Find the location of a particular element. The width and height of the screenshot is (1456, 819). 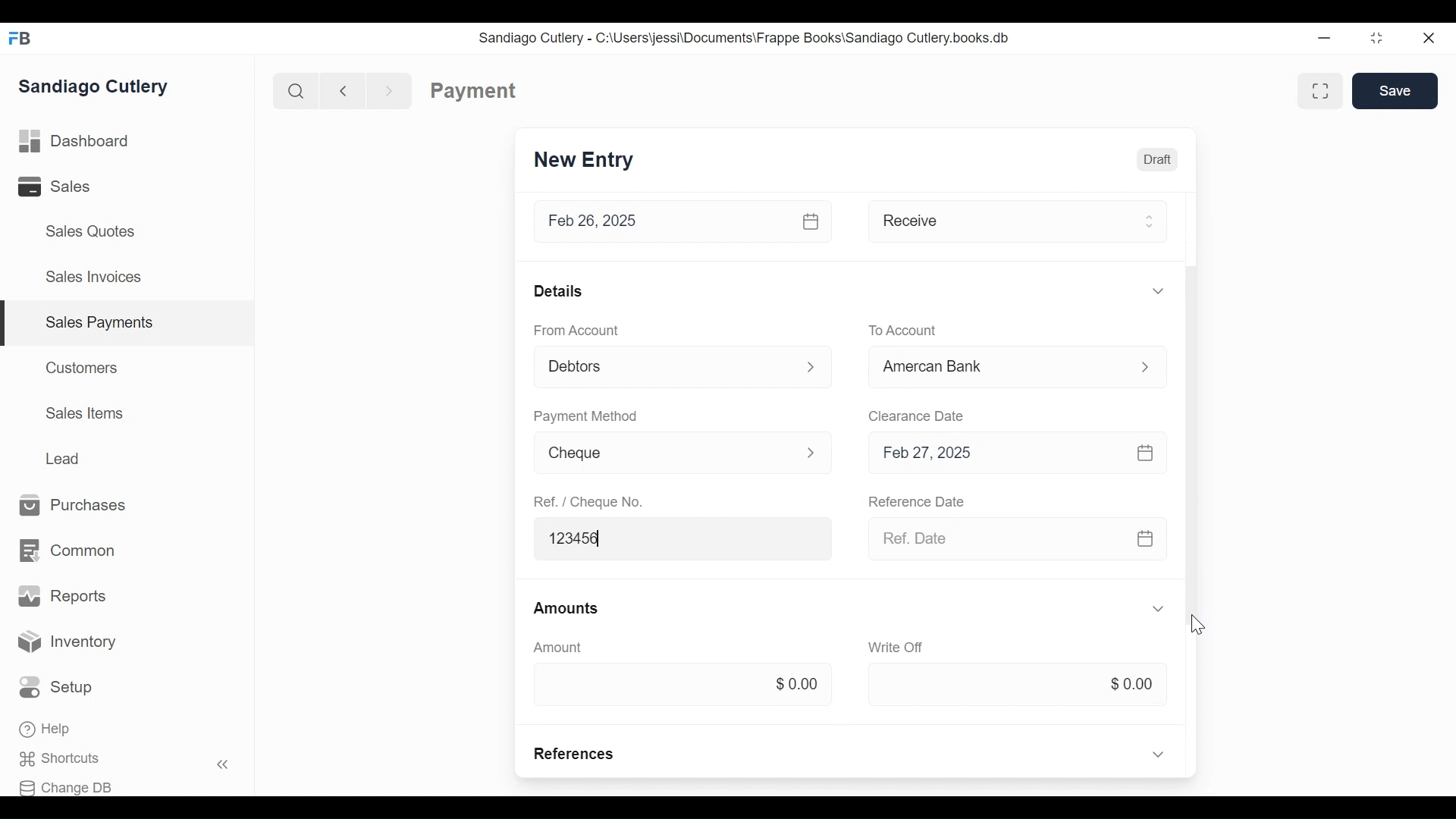

Reference Date is located at coordinates (918, 503).